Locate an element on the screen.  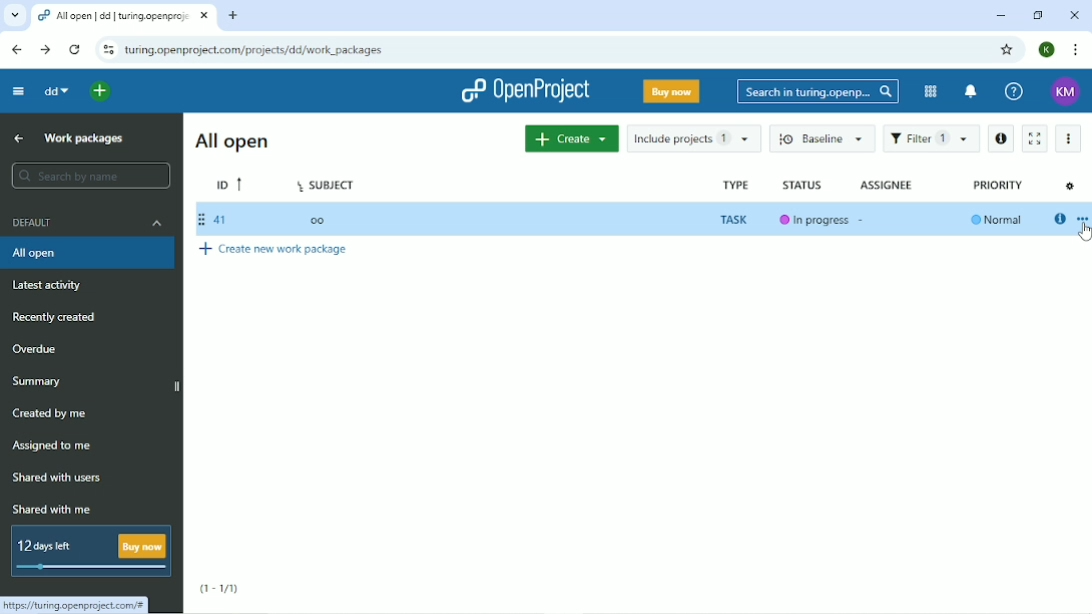
Site is located at coordinates (256, 50).